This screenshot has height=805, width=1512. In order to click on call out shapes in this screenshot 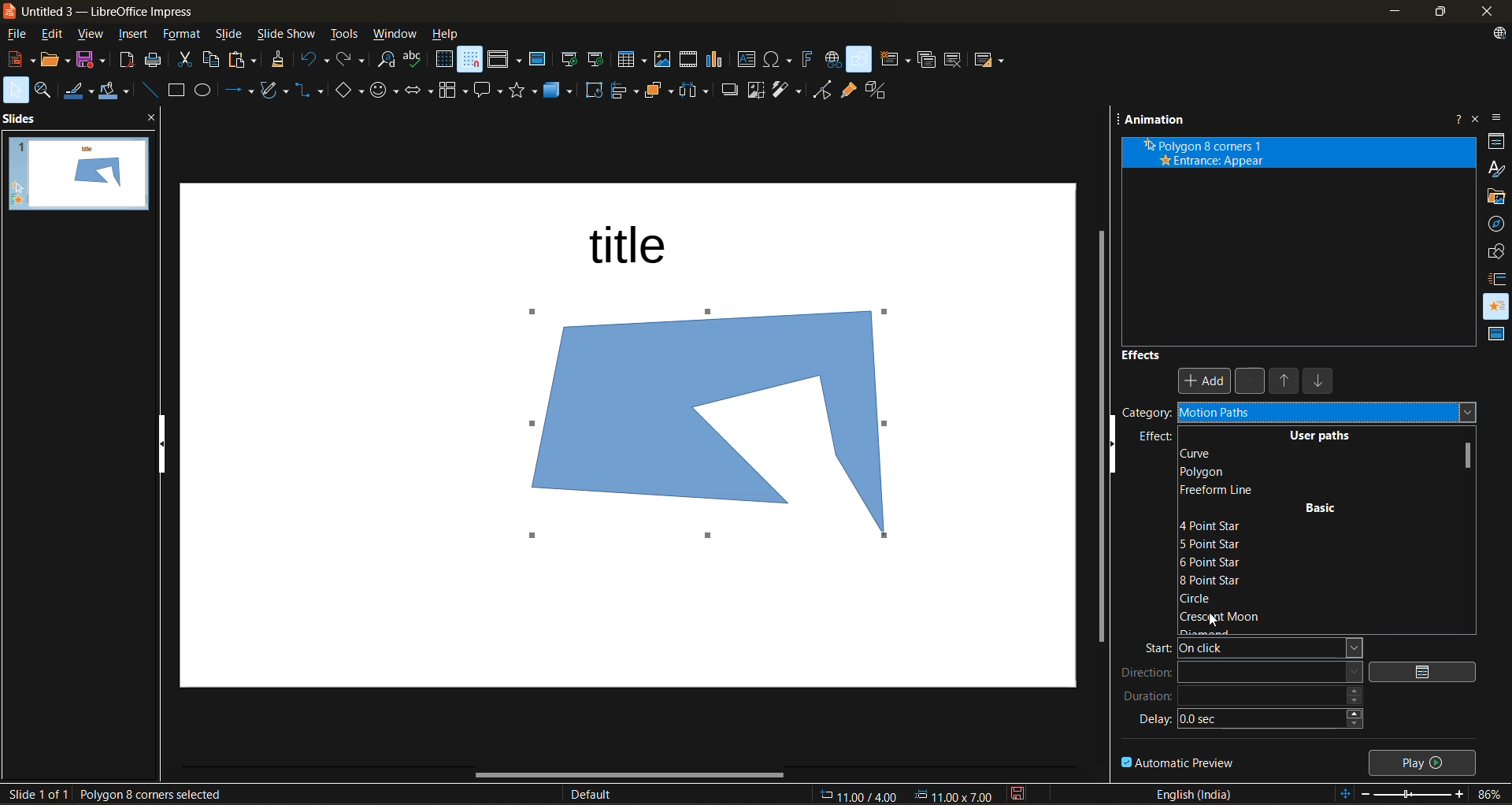, I will do `click(491, 91)`.